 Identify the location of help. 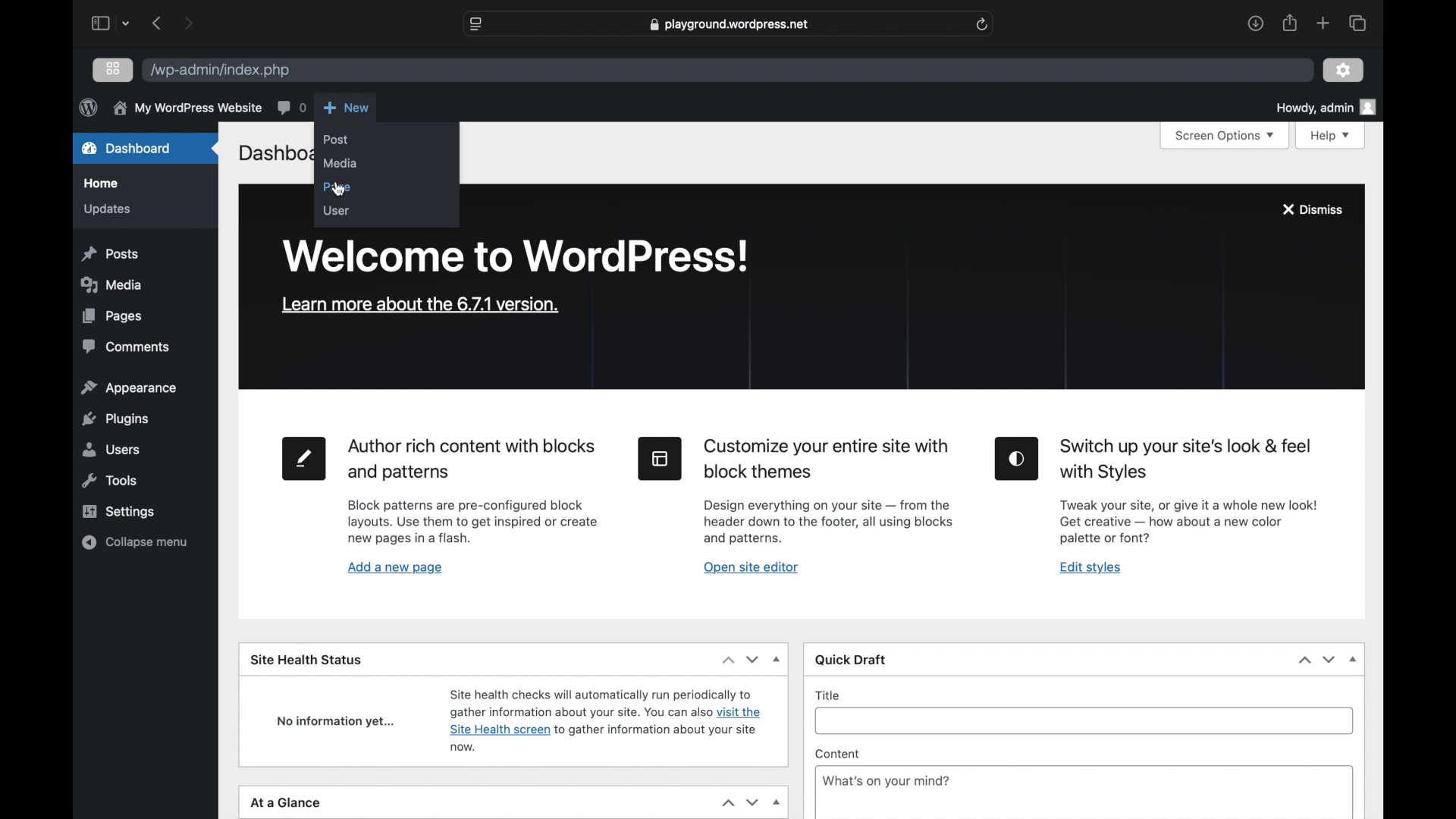
(1331, 136).